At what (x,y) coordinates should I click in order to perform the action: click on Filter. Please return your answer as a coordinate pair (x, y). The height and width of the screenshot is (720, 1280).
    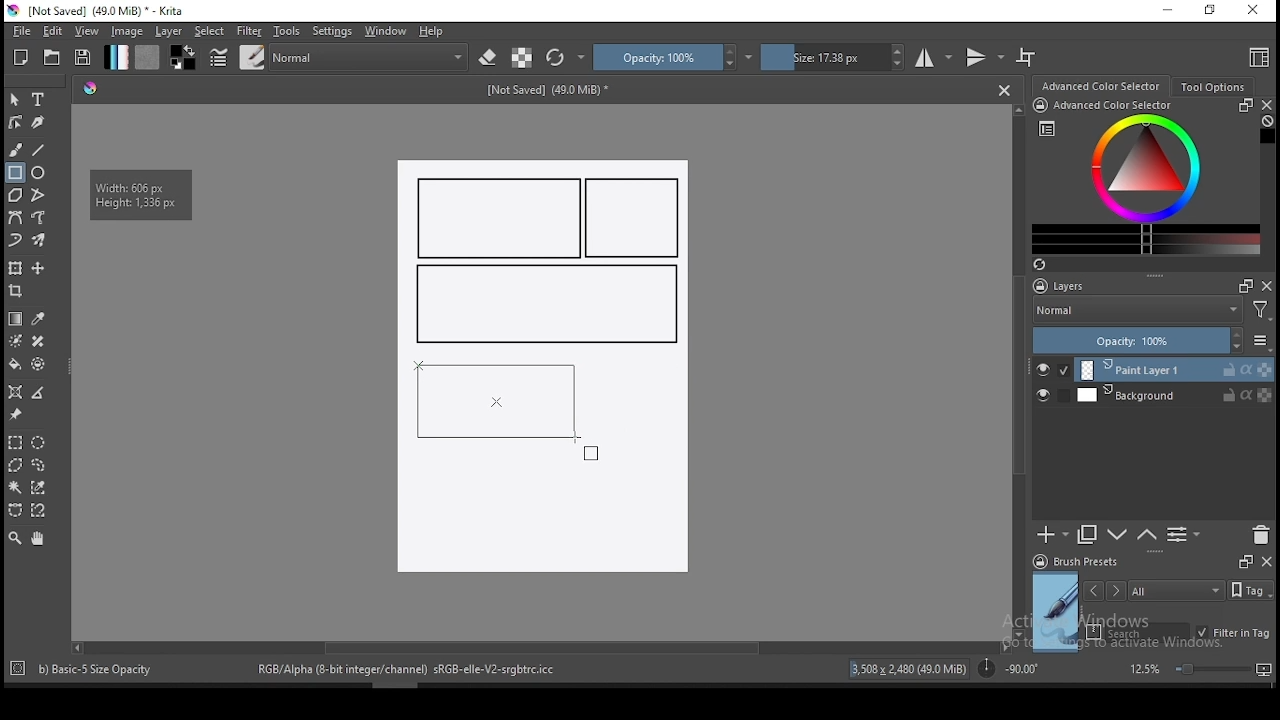
    Looking at the image, I should click on (1261, 313).